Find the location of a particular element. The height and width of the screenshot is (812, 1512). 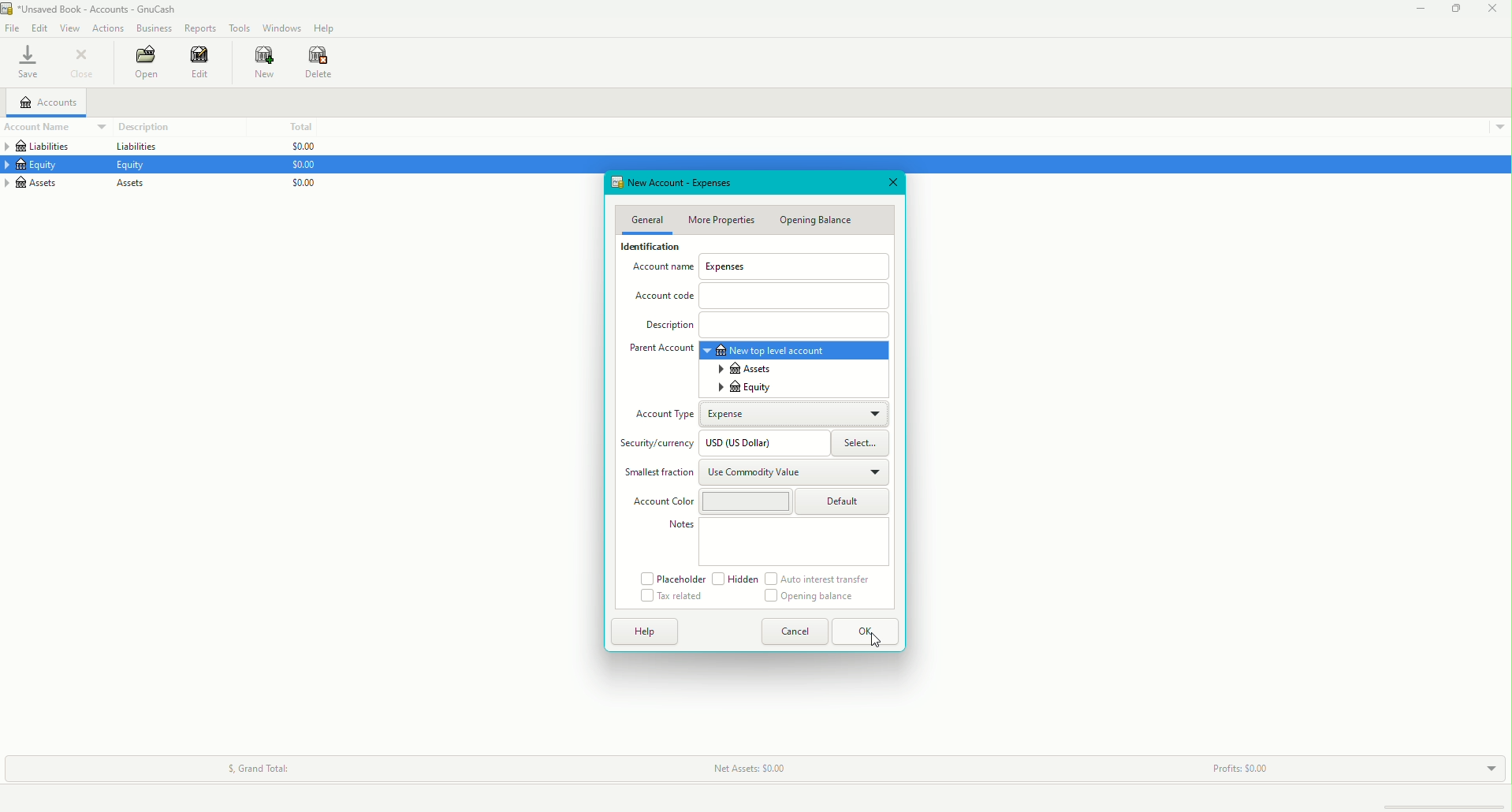

Tools is located at coordinates (238, 25).